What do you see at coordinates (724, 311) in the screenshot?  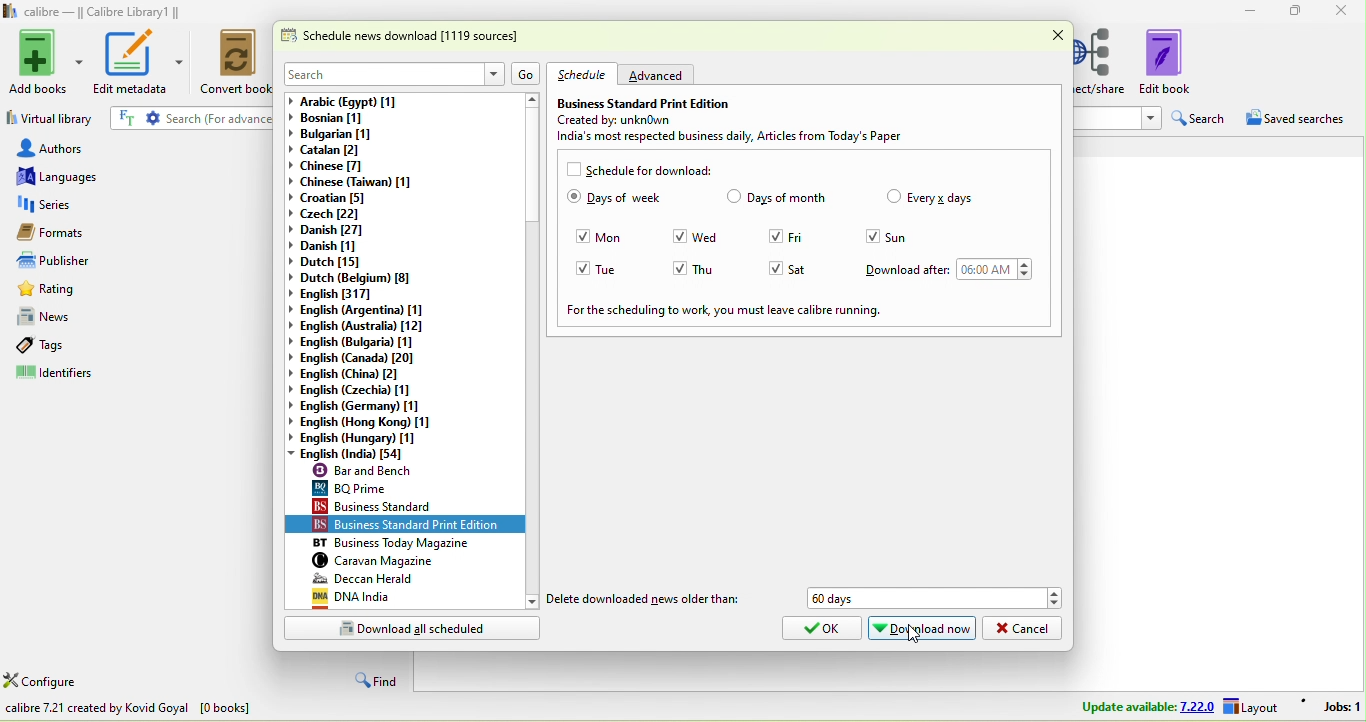 I see `for the scheduling to work ,you ,must leave calibre running` at bounding box center [724, 311].